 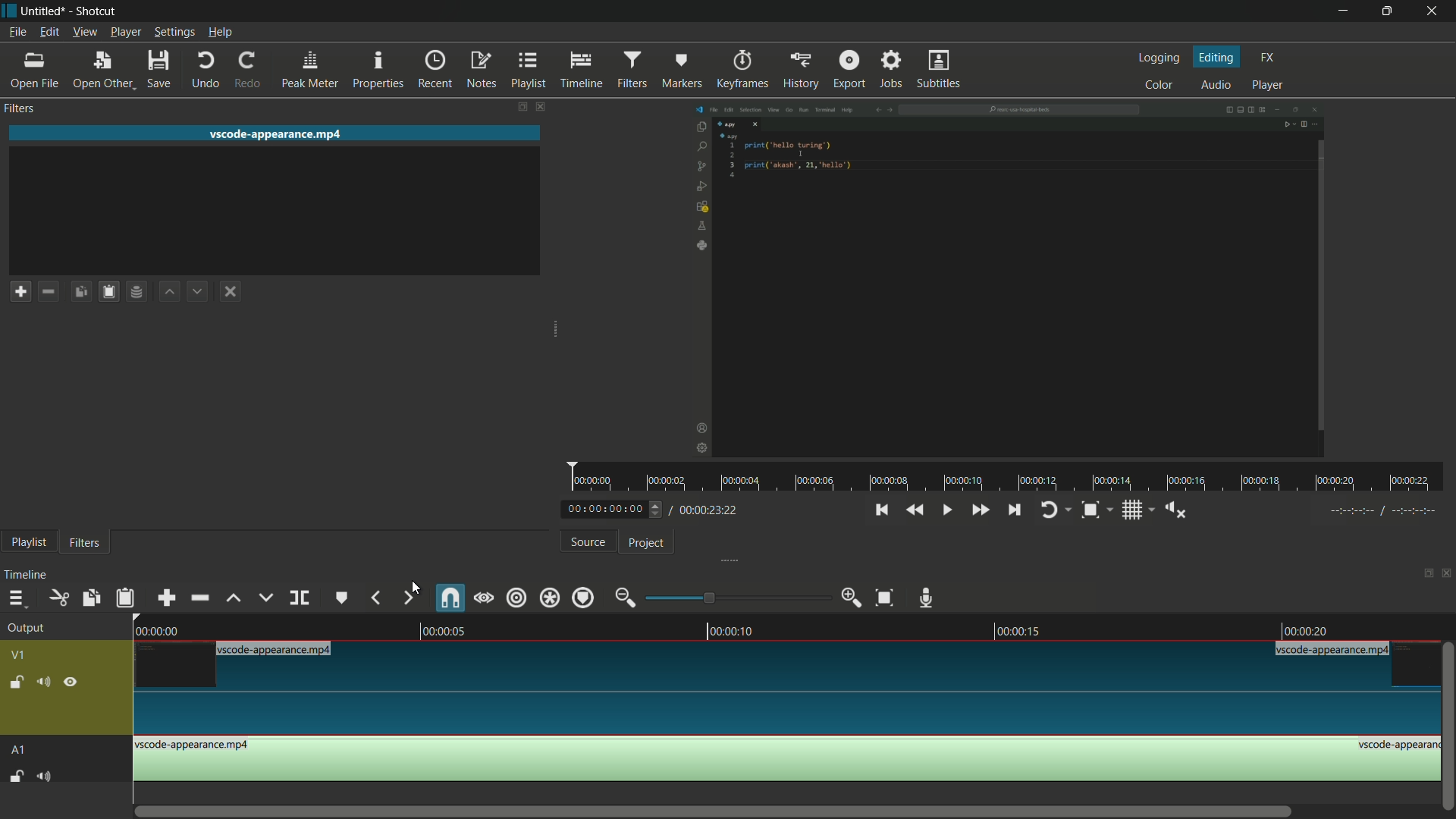 I want to click on playlist, so click(x=29, y=542).